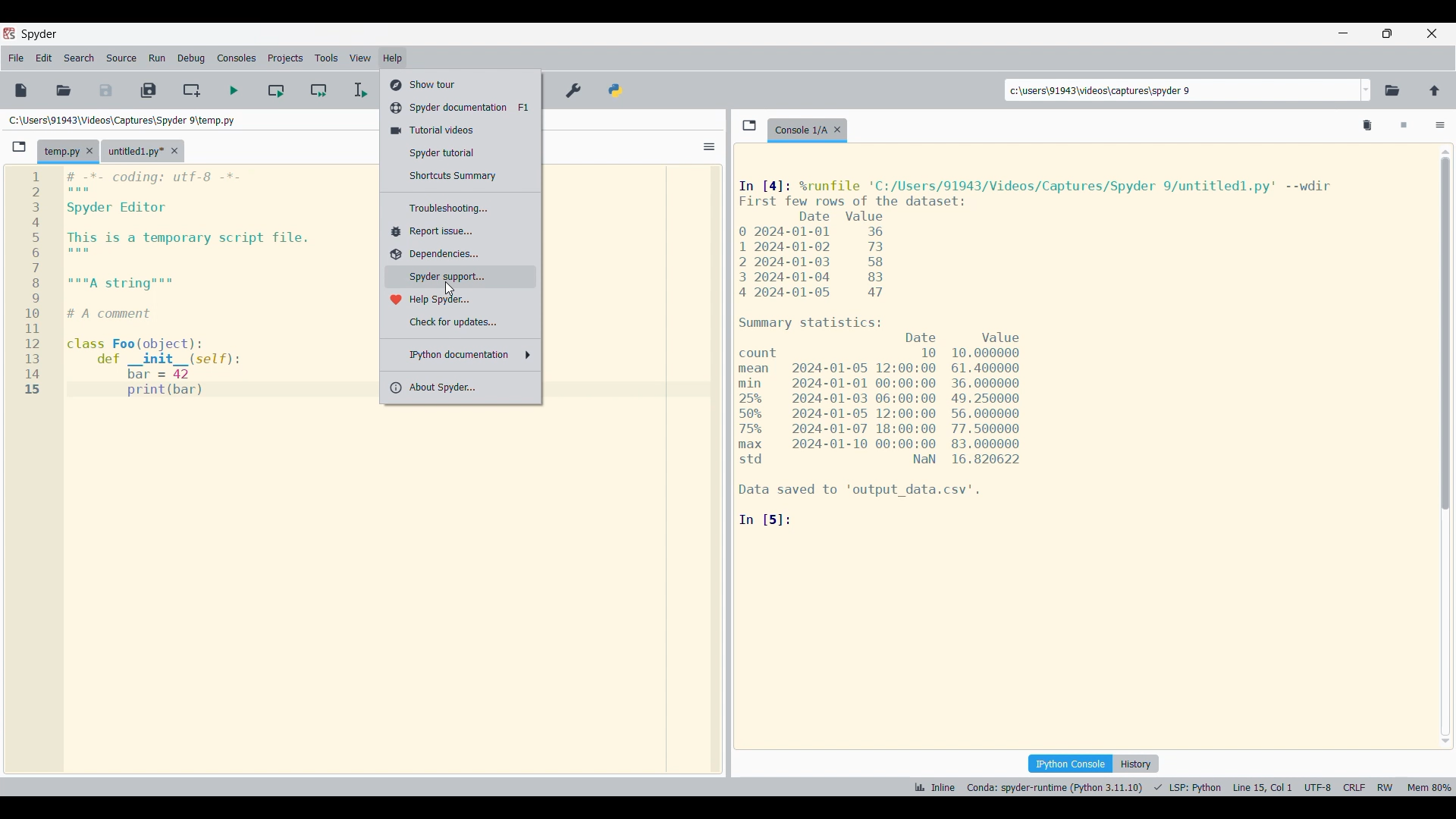 Image resolution: width=1456 pixels, height=819 pixels. What do you see at coordinates (1388, 33) in the screenshot?
I see `Show in a smaller tab` at bounding box center [1388, 33].